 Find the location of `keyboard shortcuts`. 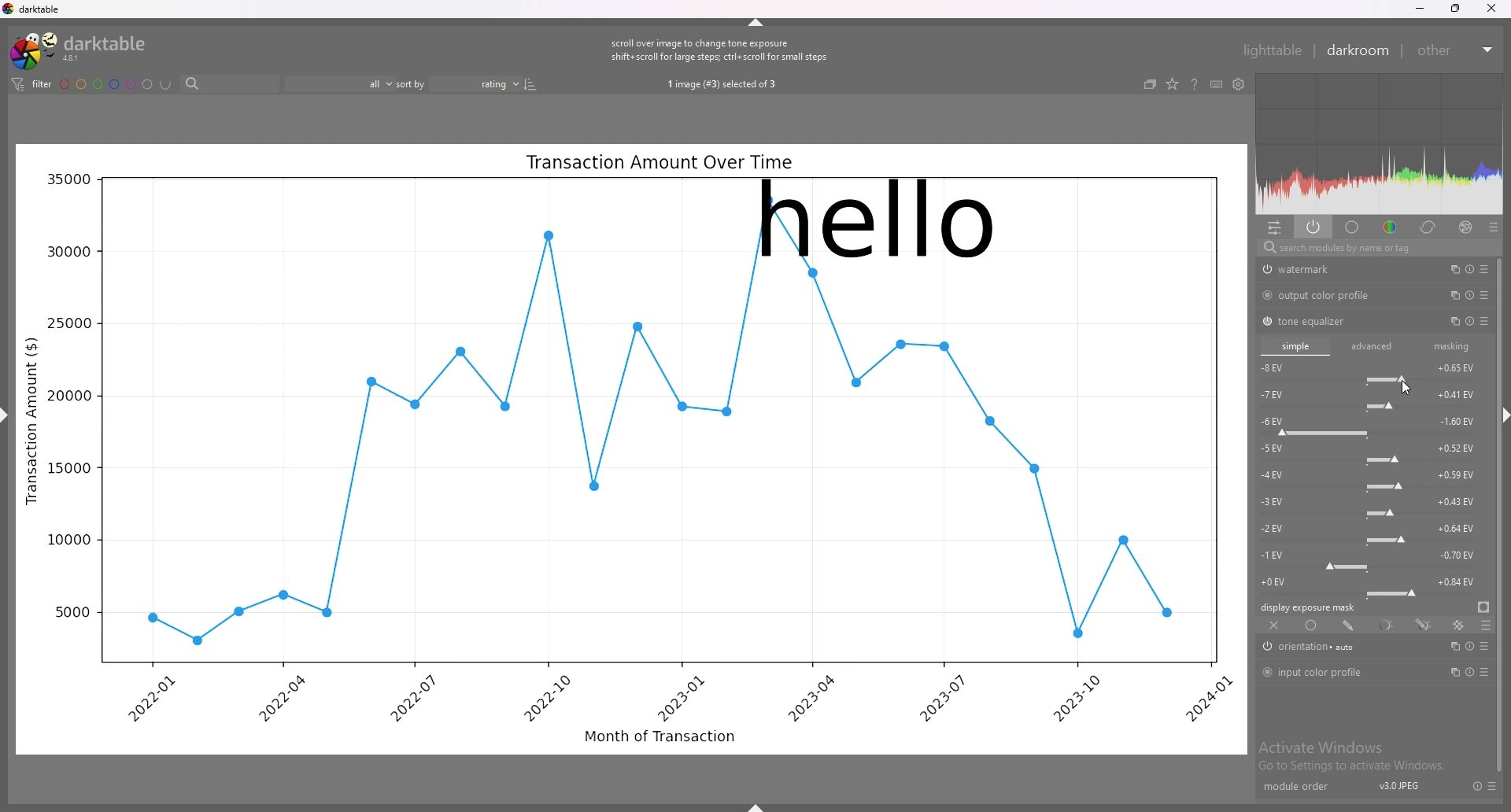

keyboard shortcuts is located at coordinates (1216, 84).